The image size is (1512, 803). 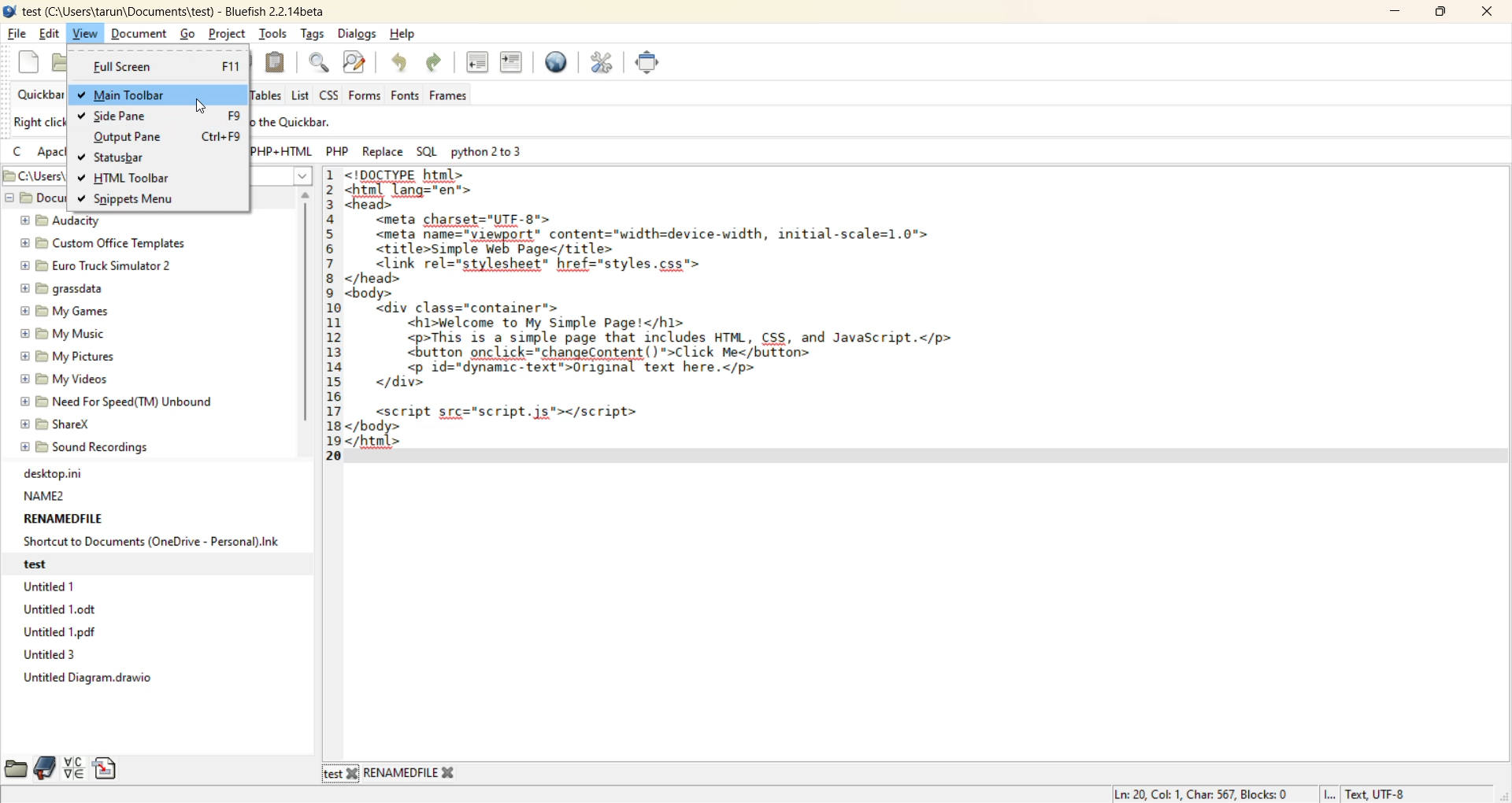 What do you see at coordinates (150, 94) in the screenshot?
I see `main toolbar` at bounding box center [150, 94].